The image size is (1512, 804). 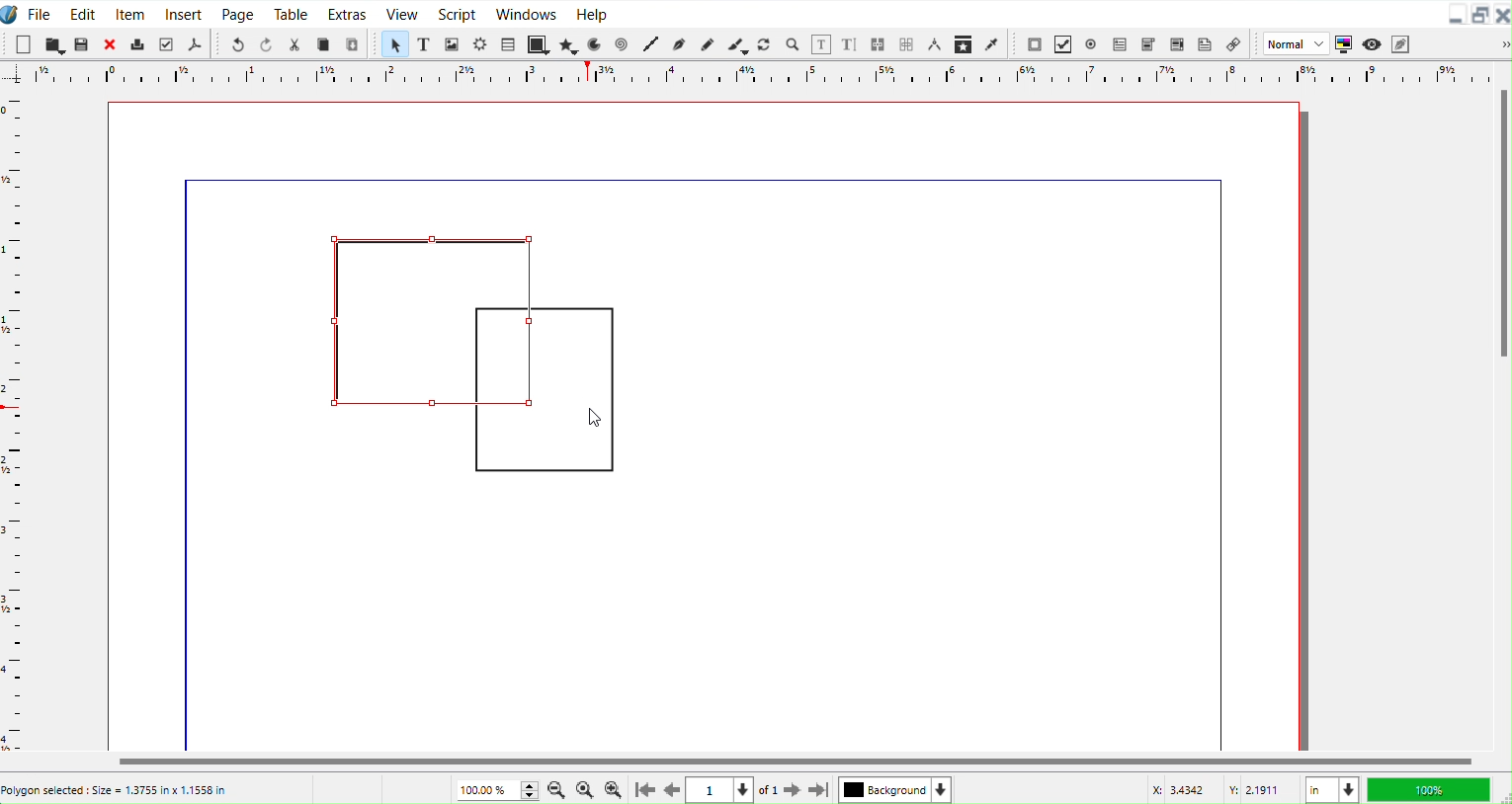 I want to click on New, so click(x=23, y=43).